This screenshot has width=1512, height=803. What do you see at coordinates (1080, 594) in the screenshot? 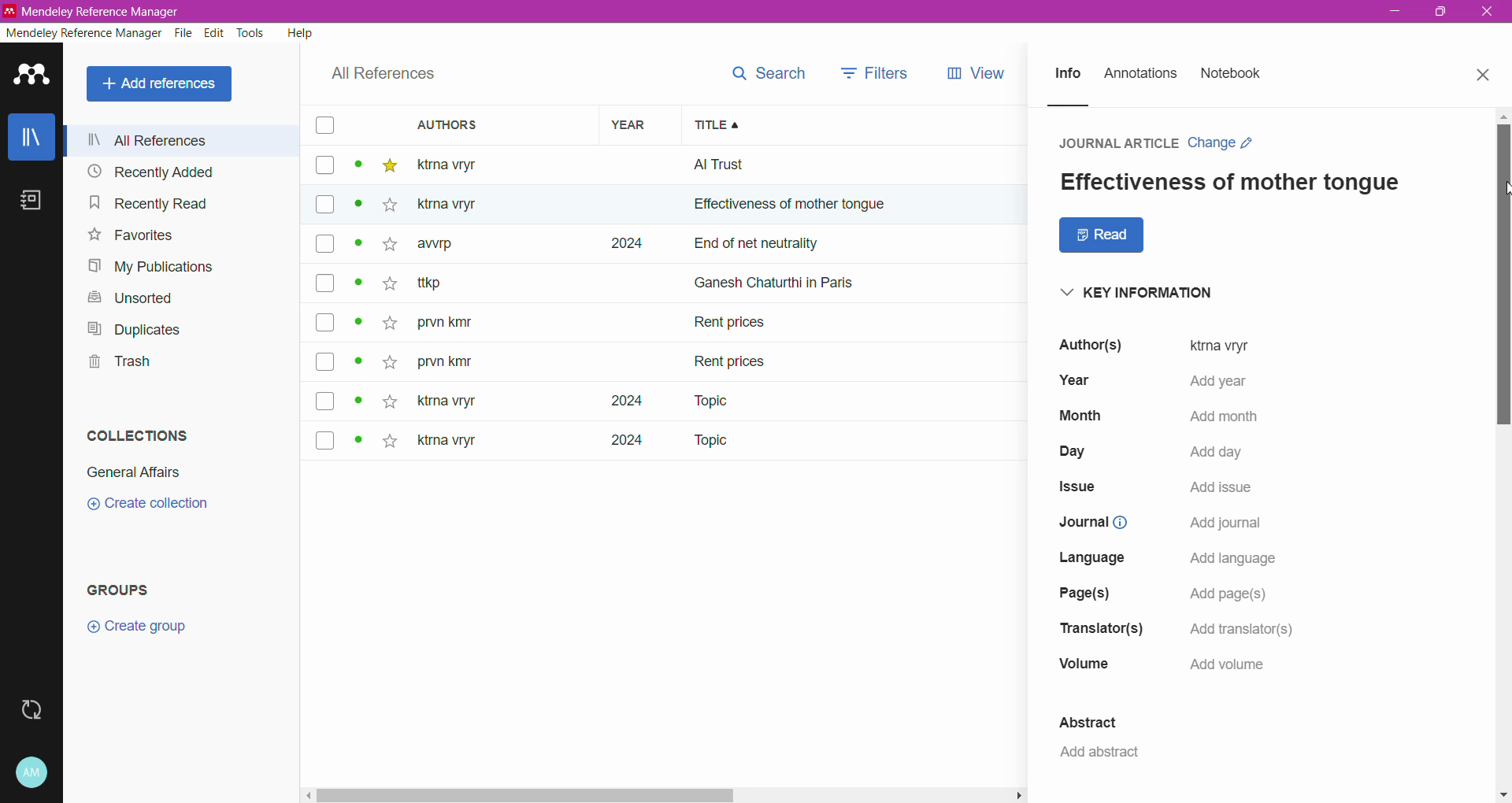
I see `Page(s)` at bounding box center [1080, 594].